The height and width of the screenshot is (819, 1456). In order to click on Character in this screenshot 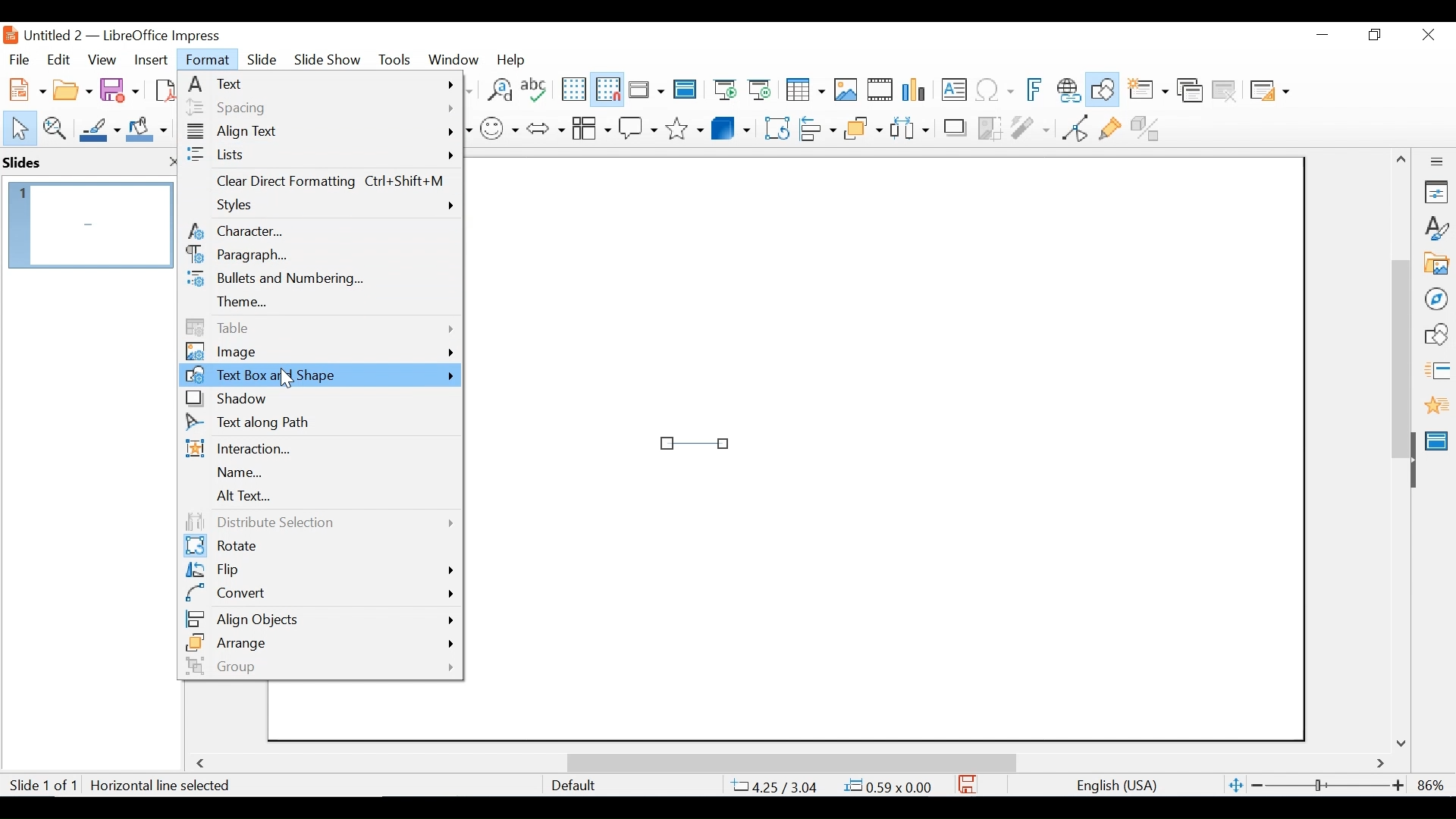, I will do `click(319, 231)`.